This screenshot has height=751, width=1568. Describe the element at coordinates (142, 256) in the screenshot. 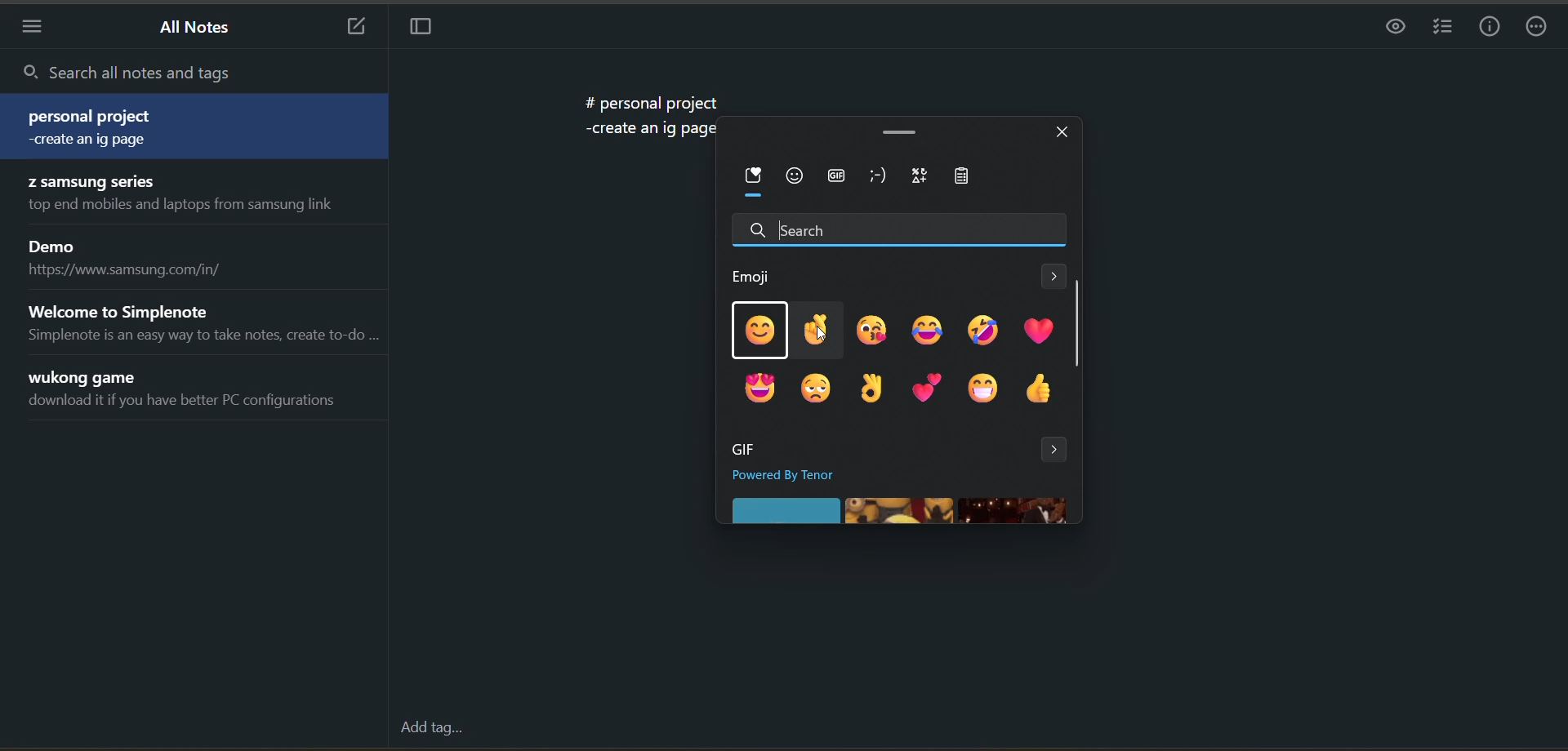

I see `note title and preview` at that location.